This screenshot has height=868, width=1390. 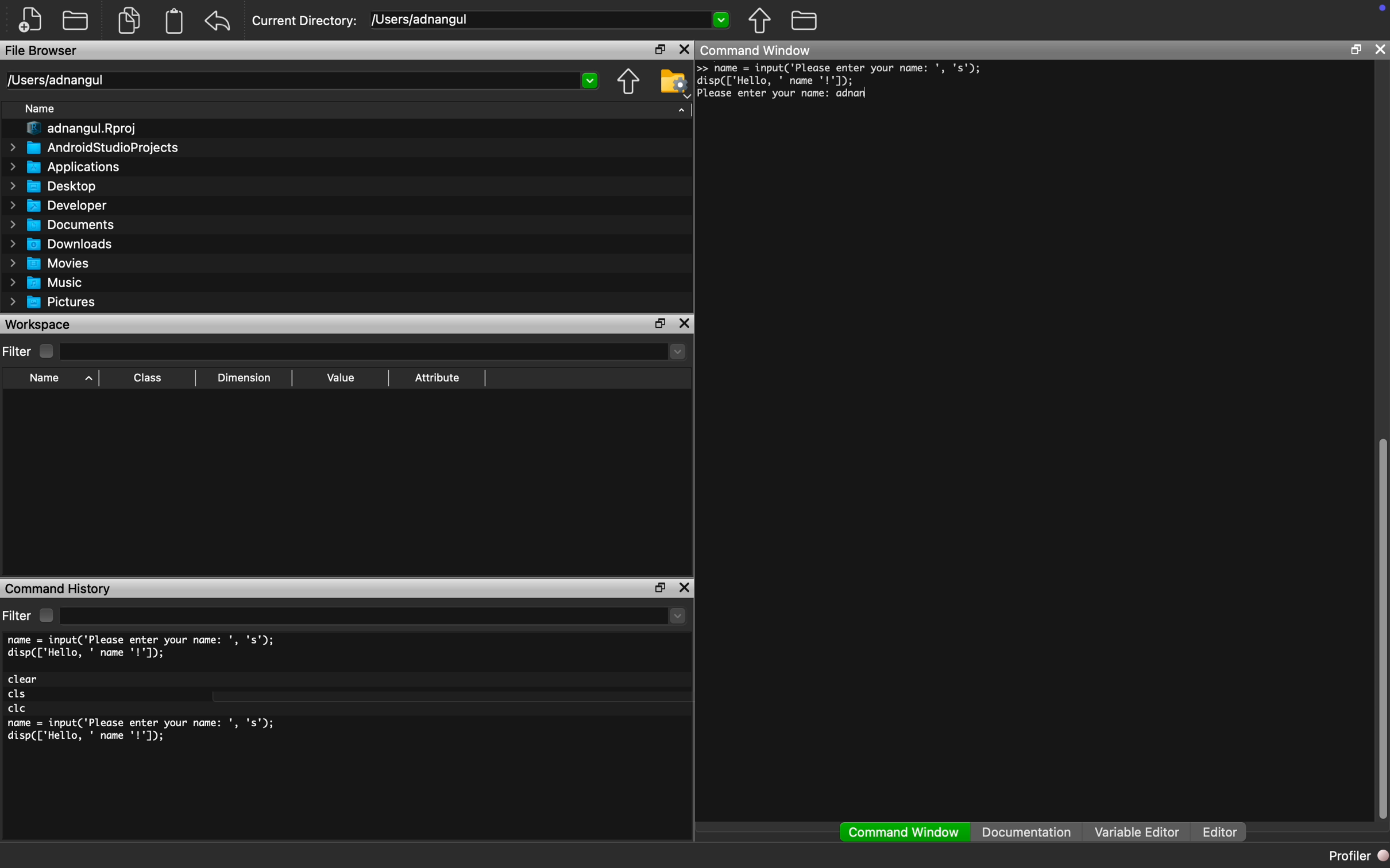 What do you see at coordinates (682, 110) in the screenshot?
I see `Collapse` at bounding box center [682, 110].